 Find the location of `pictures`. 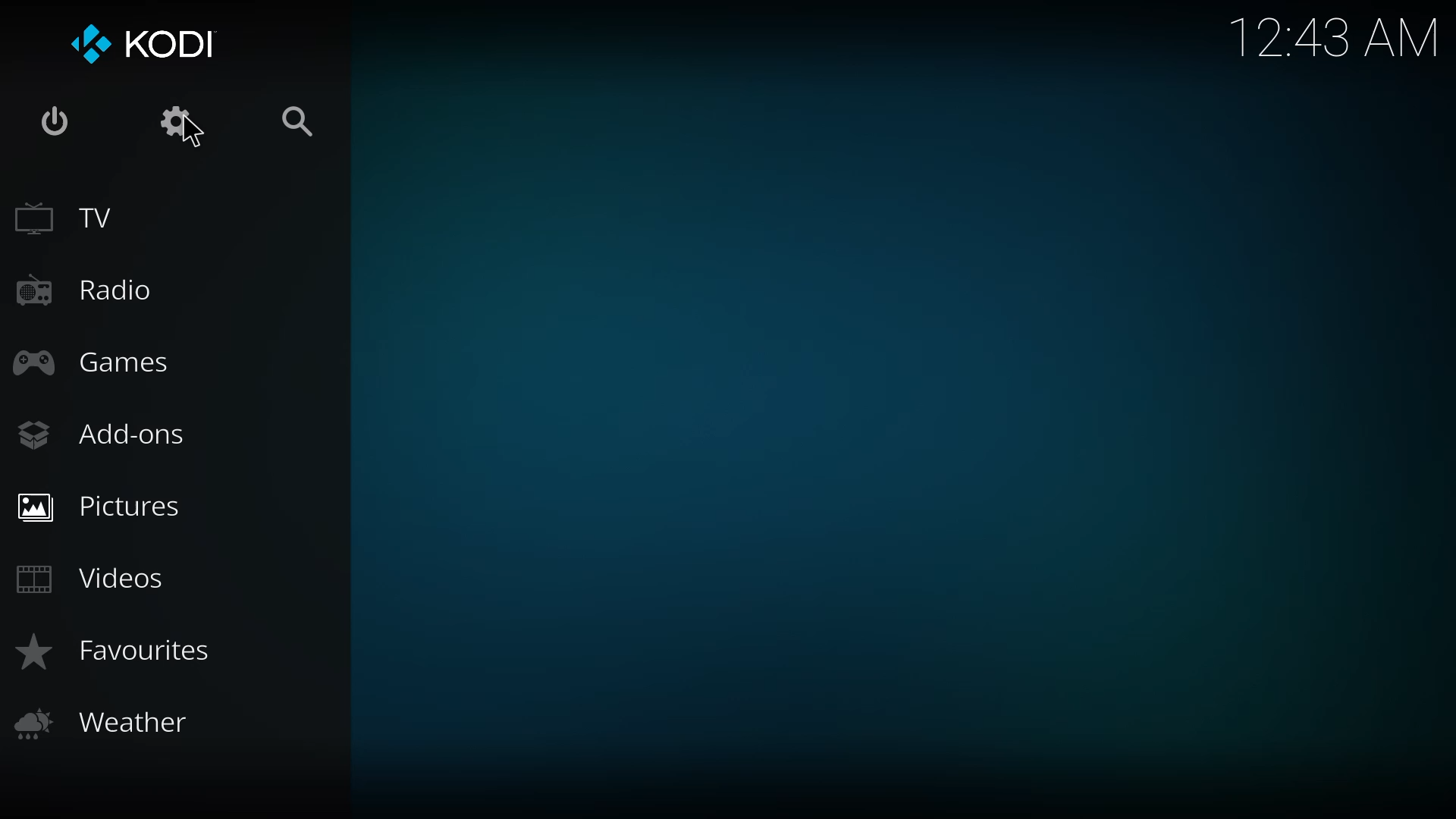

pictures is located at coordinates (106, 503).